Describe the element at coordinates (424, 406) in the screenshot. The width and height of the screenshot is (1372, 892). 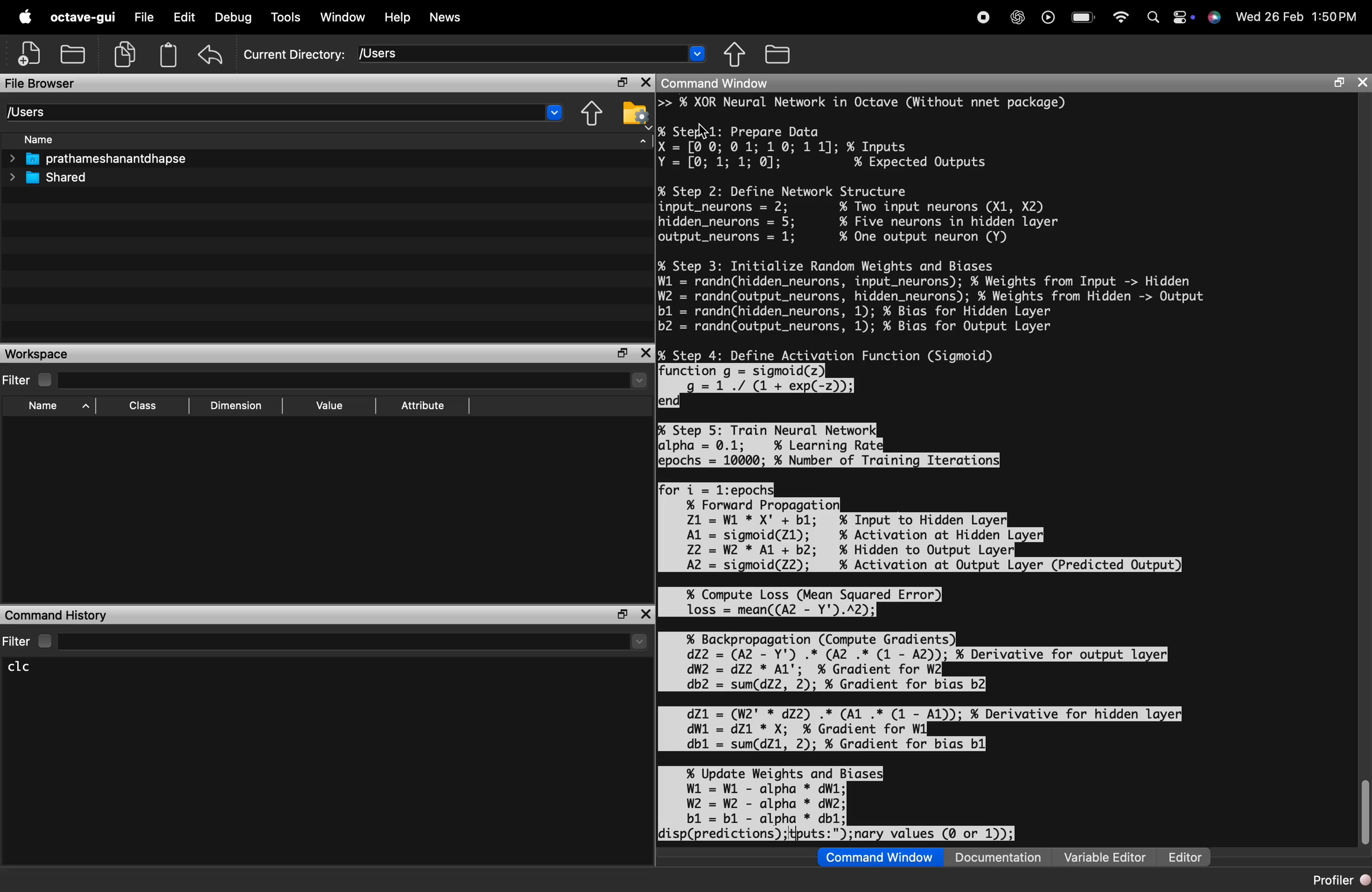
I see `Attribute` at that location.